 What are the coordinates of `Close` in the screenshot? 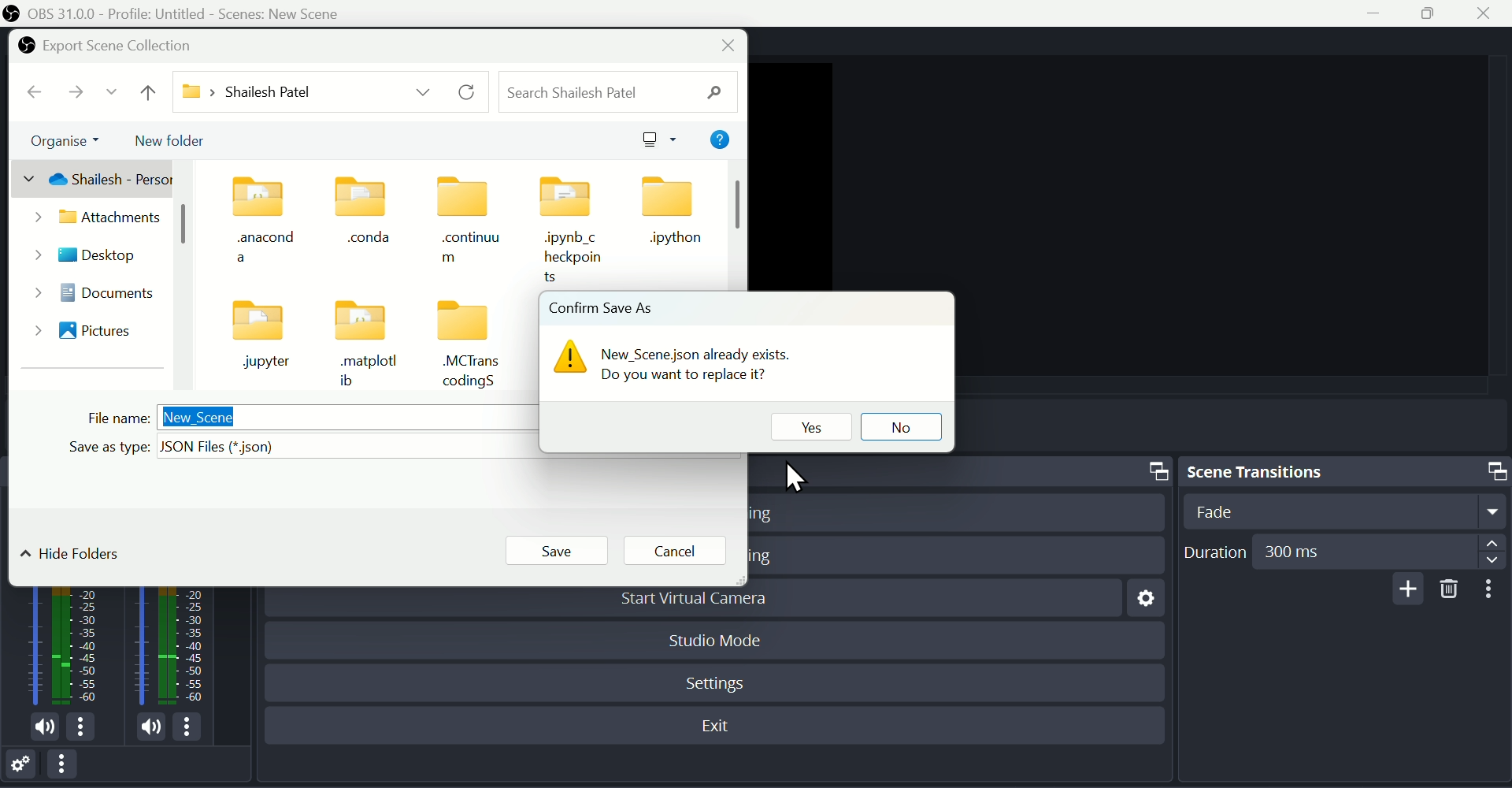 It's located at (1492, 13).